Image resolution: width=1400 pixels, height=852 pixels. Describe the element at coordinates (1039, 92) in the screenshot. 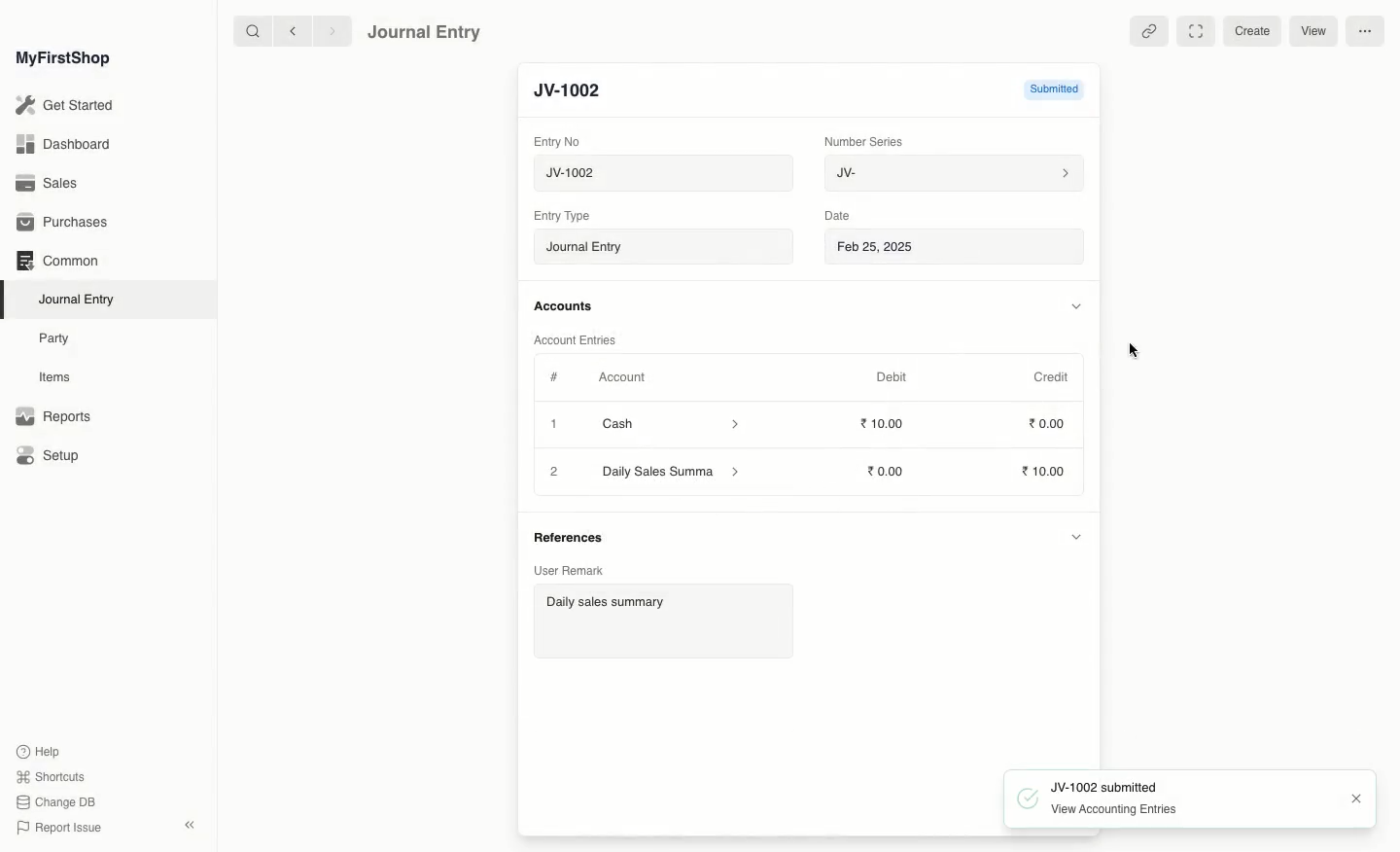

I see `Submitted` at that location.